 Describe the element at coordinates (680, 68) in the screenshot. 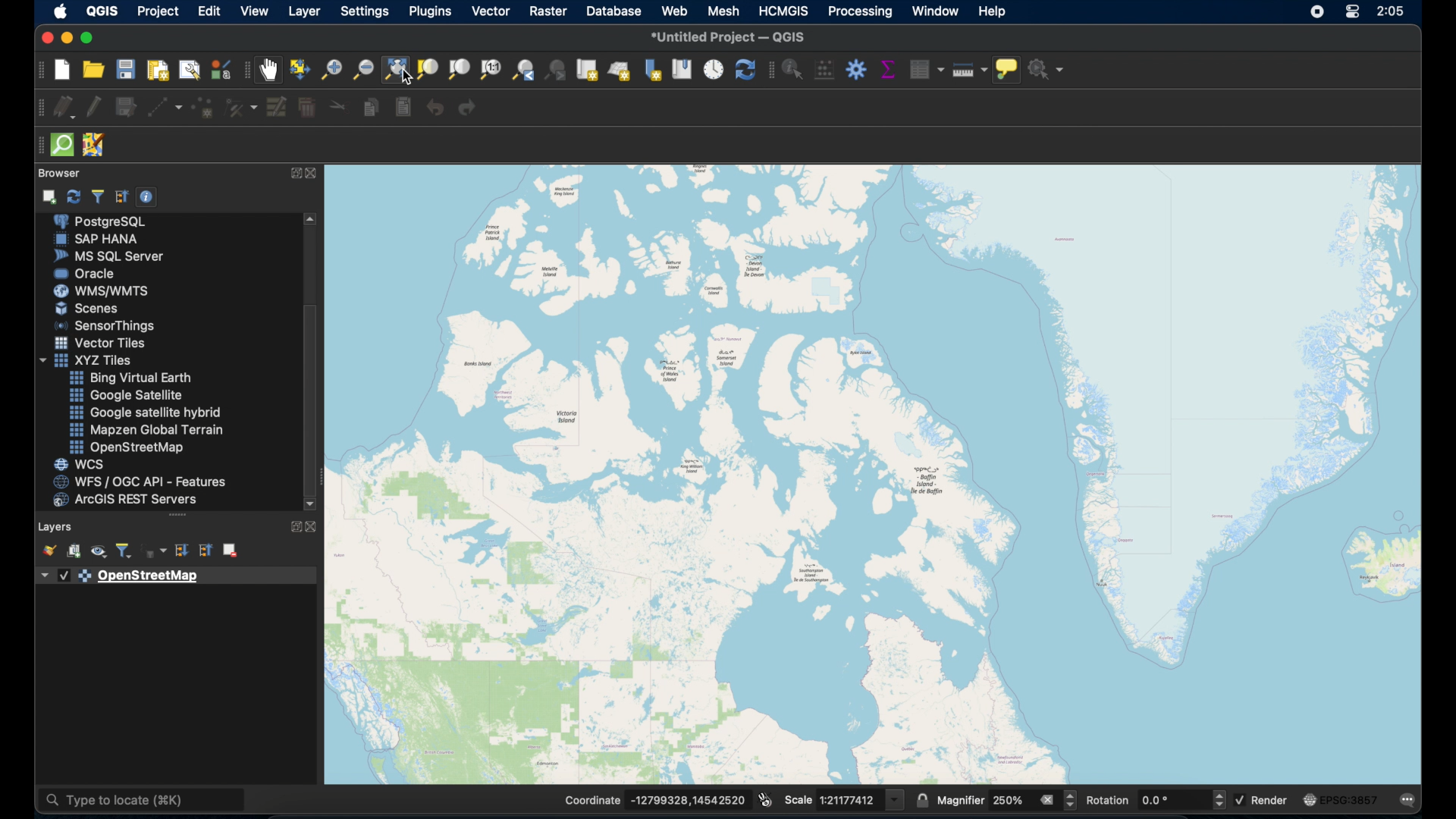

I see `show spatial bookmarks` at that location.